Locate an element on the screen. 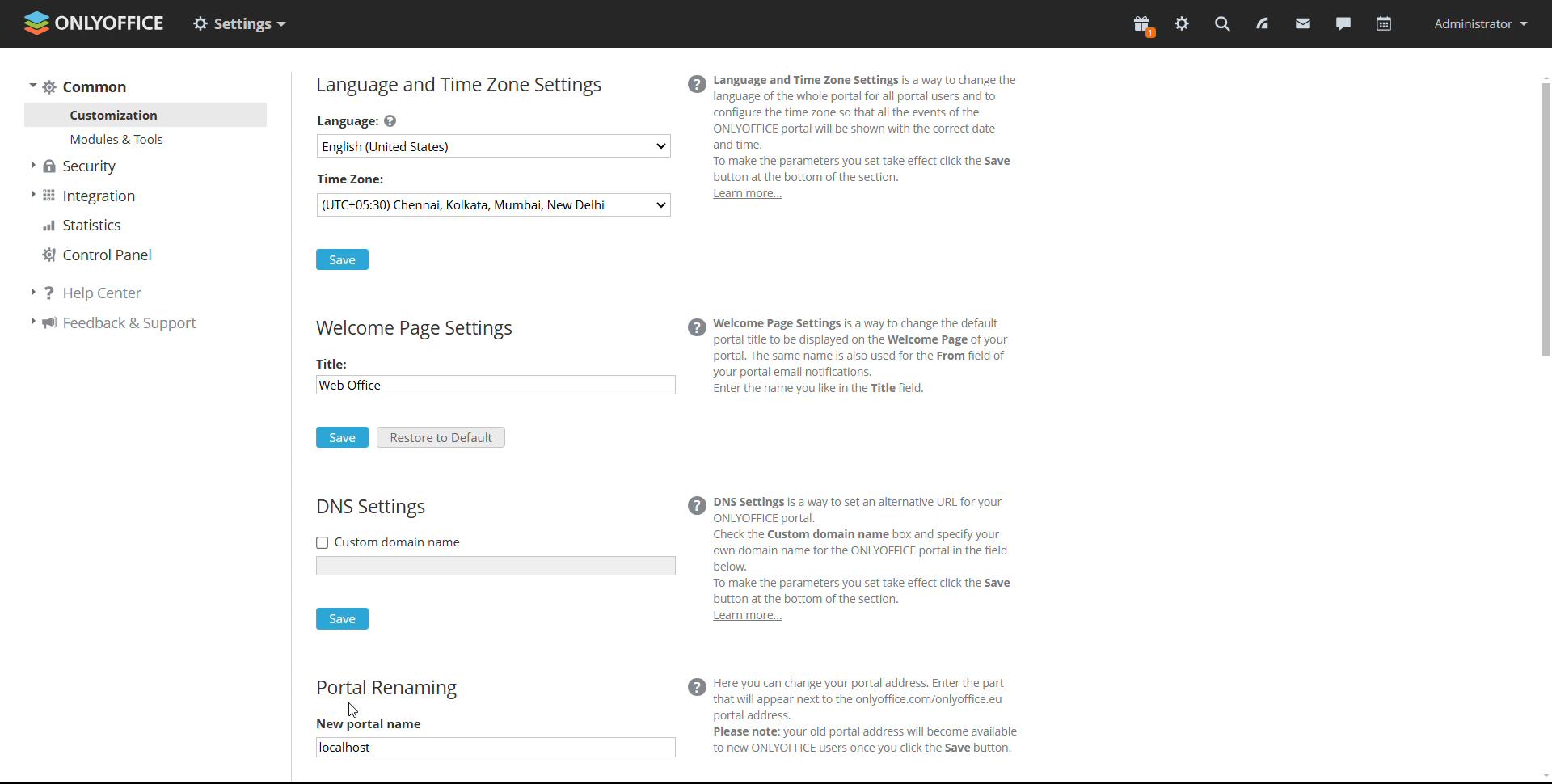 The height and width of the screenshot is (784, 1552). Title: is located at coordinates (333, 364).